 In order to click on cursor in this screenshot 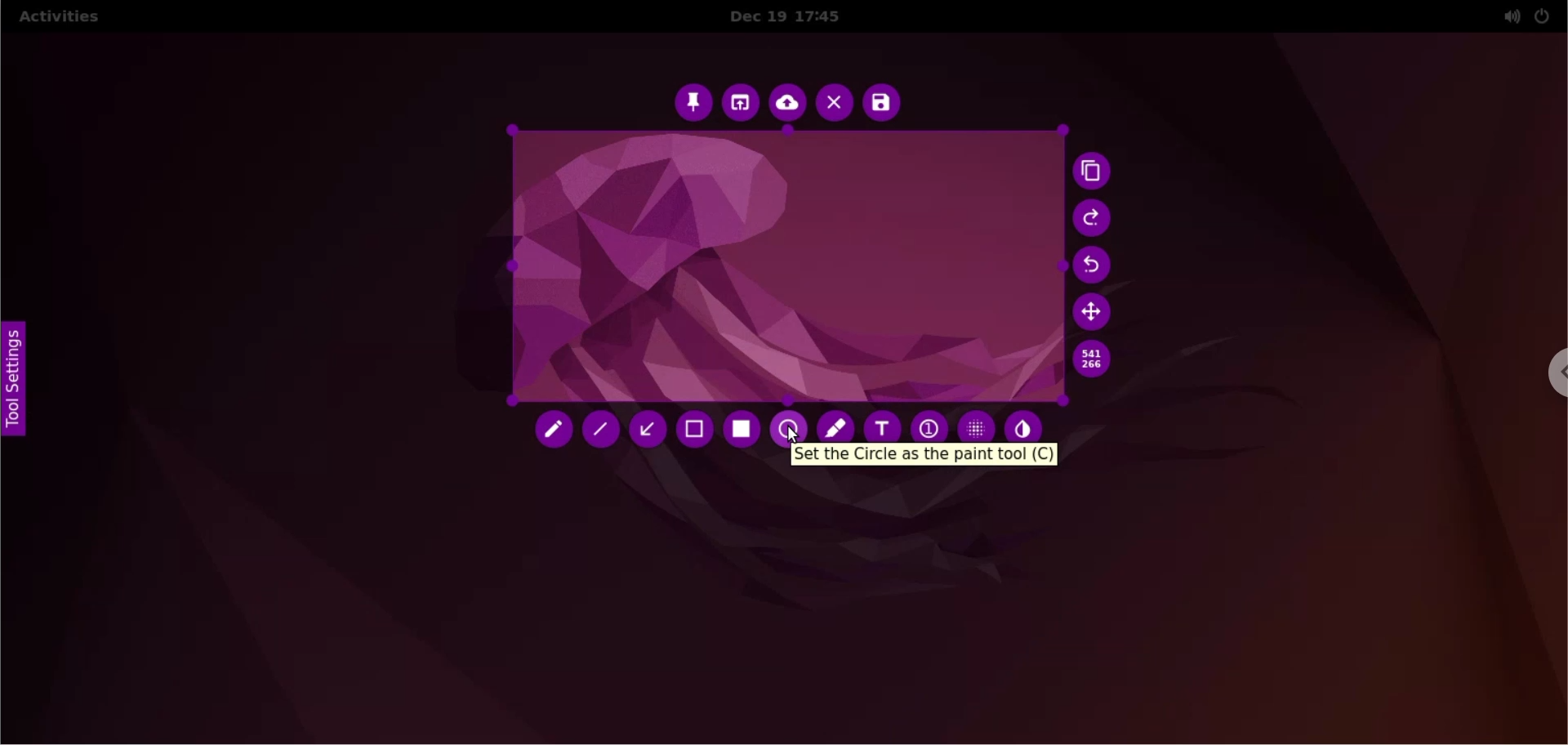, I will do `click(791, 437)`.